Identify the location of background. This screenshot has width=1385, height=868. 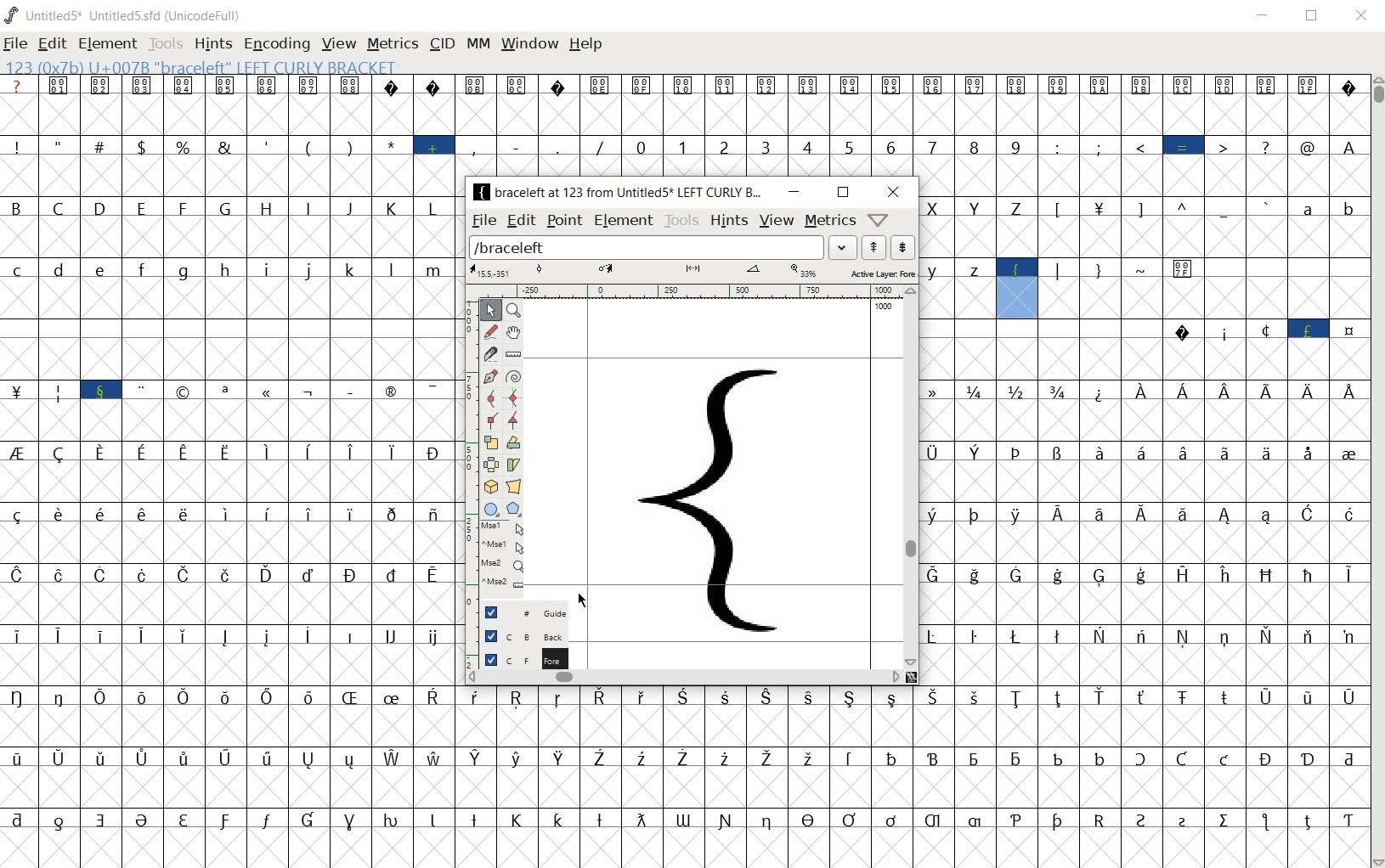
(517, 657).